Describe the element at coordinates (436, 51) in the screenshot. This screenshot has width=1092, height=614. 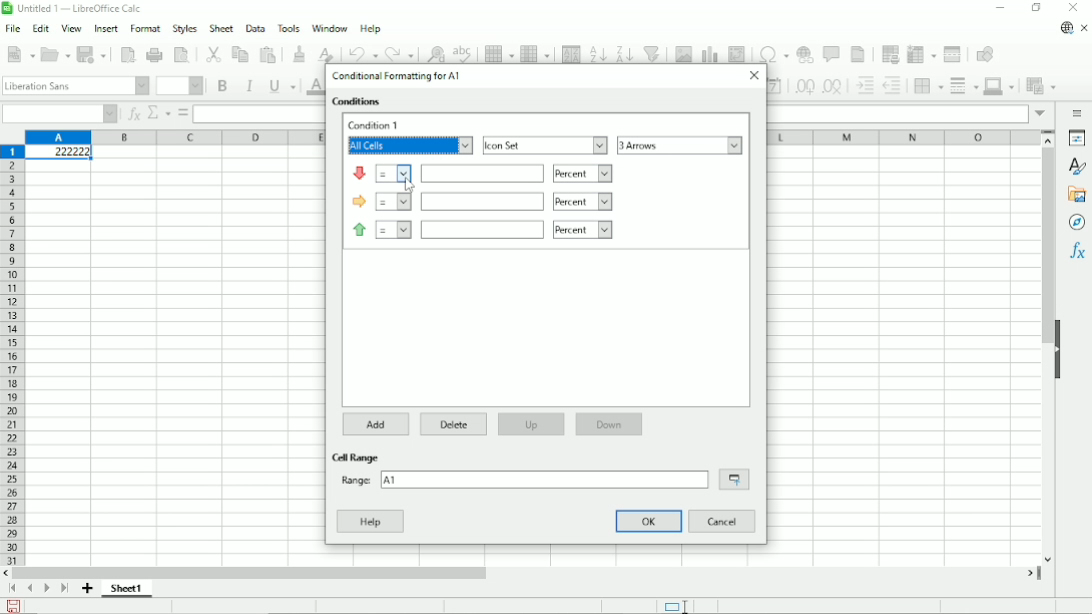
I see `Find and replace` at that location.